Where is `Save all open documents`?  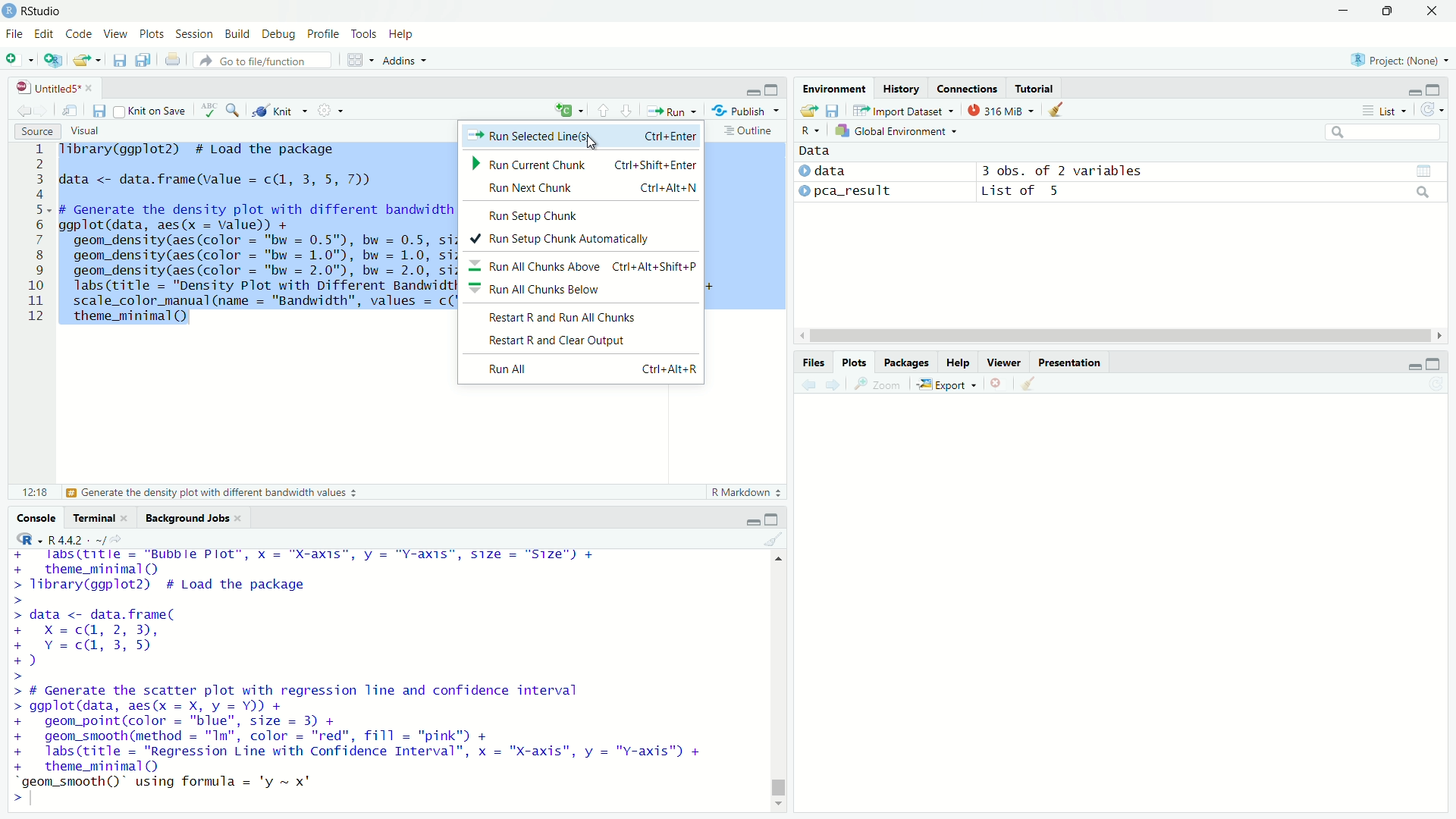 Save all open documents is located at coordinates (143, 60).